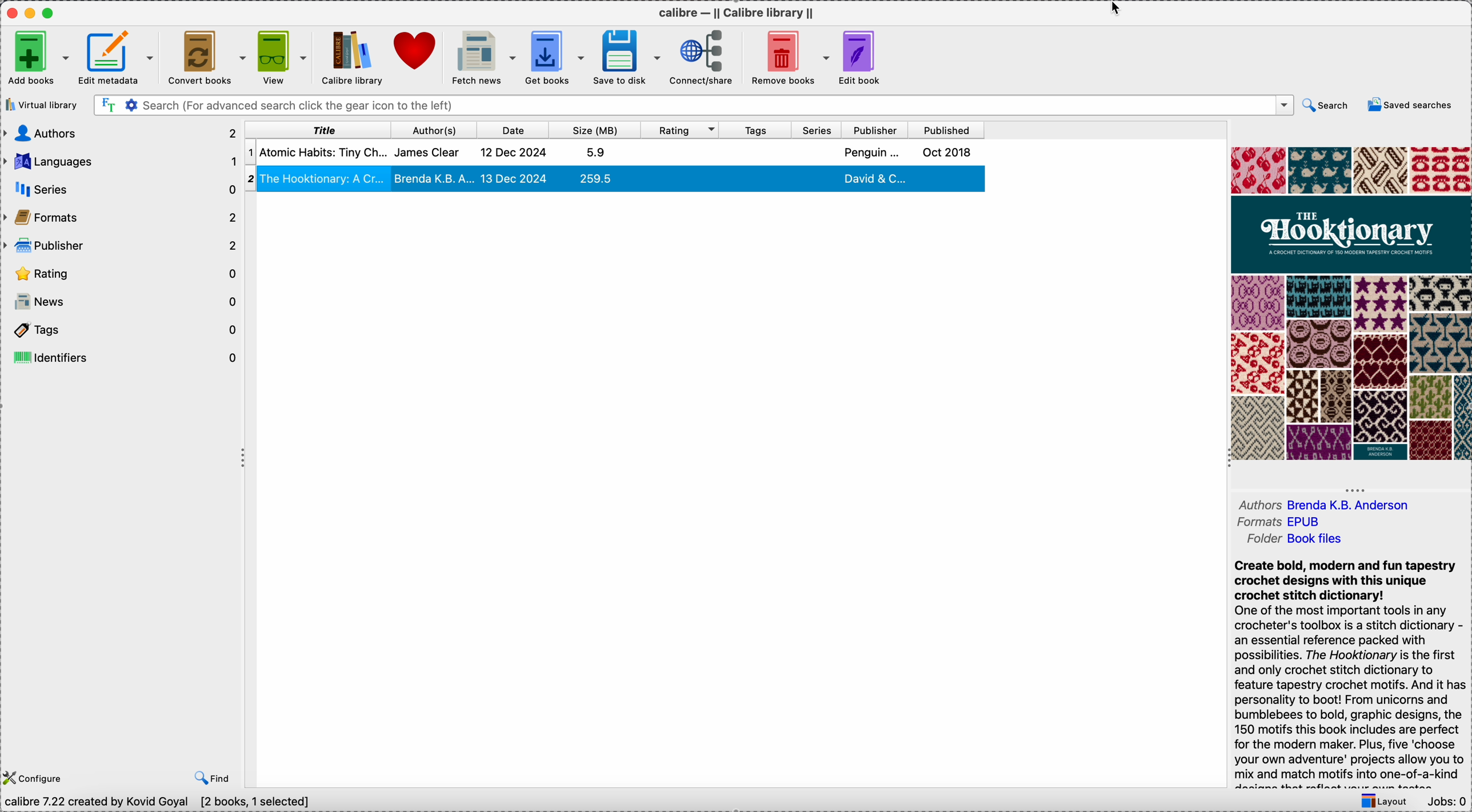 The image size is (1472, 812). What do you see at coordinates (484, 55) in the screenshot?
I see `fetch news` at bounding box center [484, 55].